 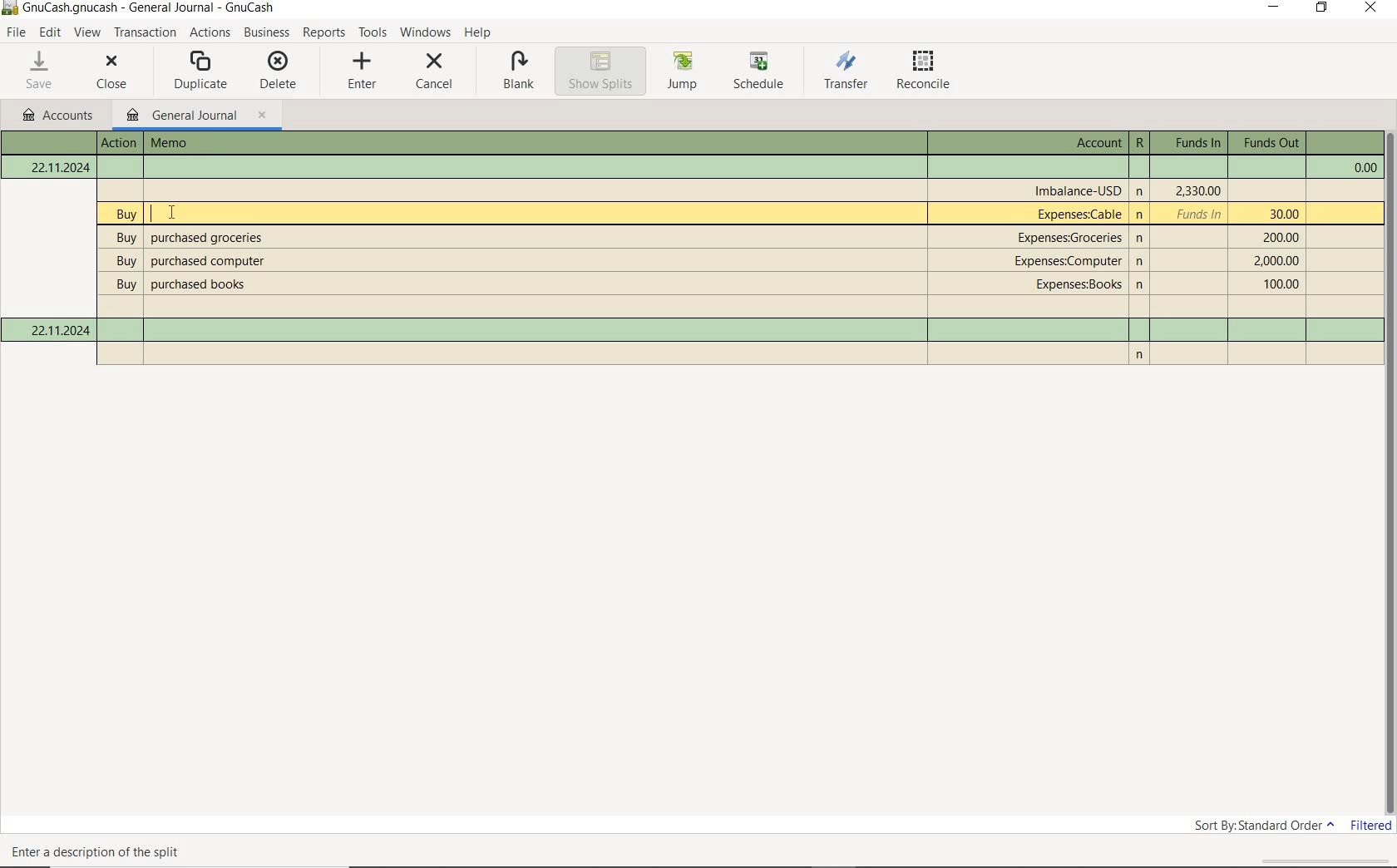 What do you see at coordinates (1371, 7) in the screenshot?
I see `CLOSE` at bounding box center [1371, 7].